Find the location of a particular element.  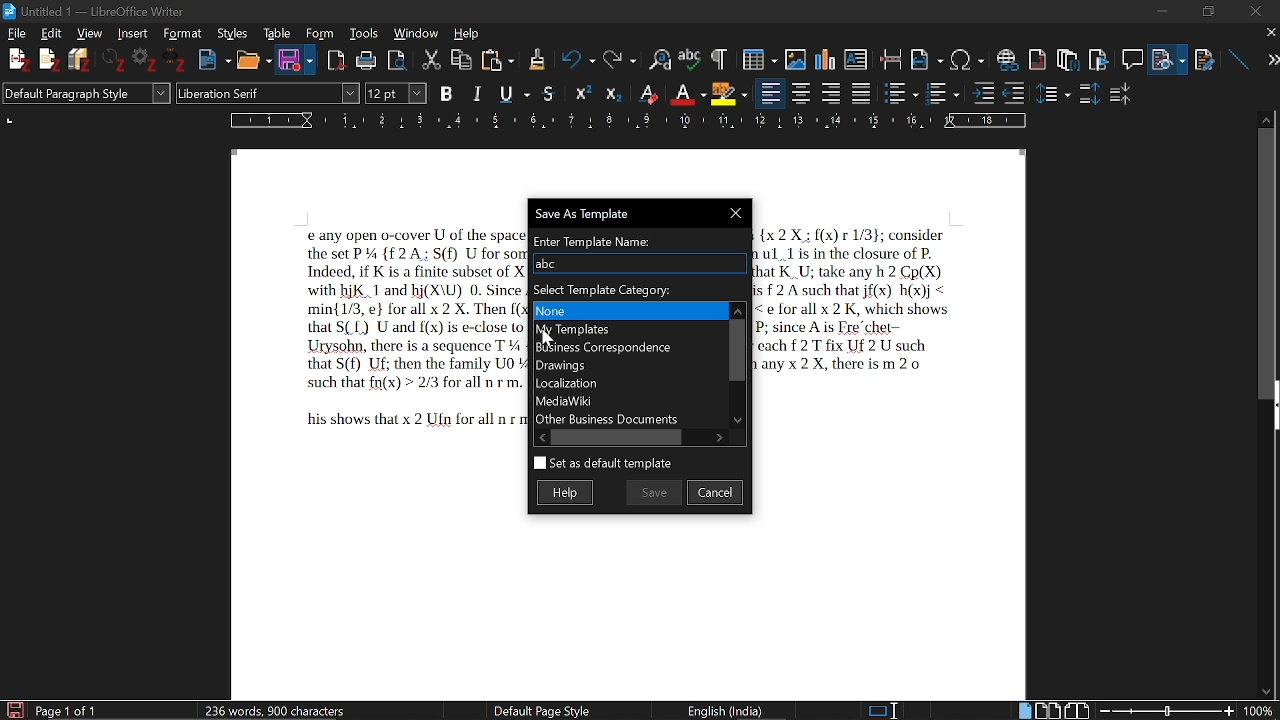

Insert Image is located at coordinates (788, 56).